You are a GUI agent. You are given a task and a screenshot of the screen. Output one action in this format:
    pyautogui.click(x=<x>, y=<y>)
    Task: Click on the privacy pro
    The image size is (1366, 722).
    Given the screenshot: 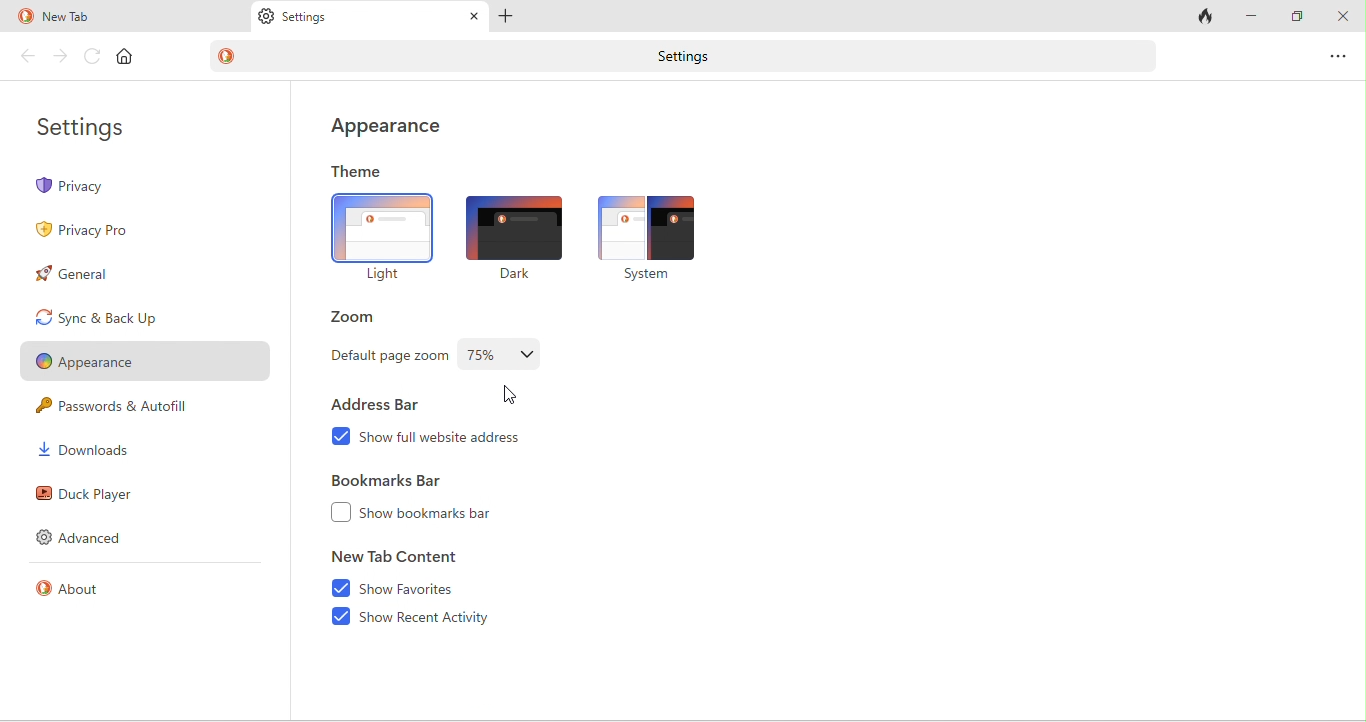 What is the action you would take?
    pyautogui.click(x=91, y=228)
    